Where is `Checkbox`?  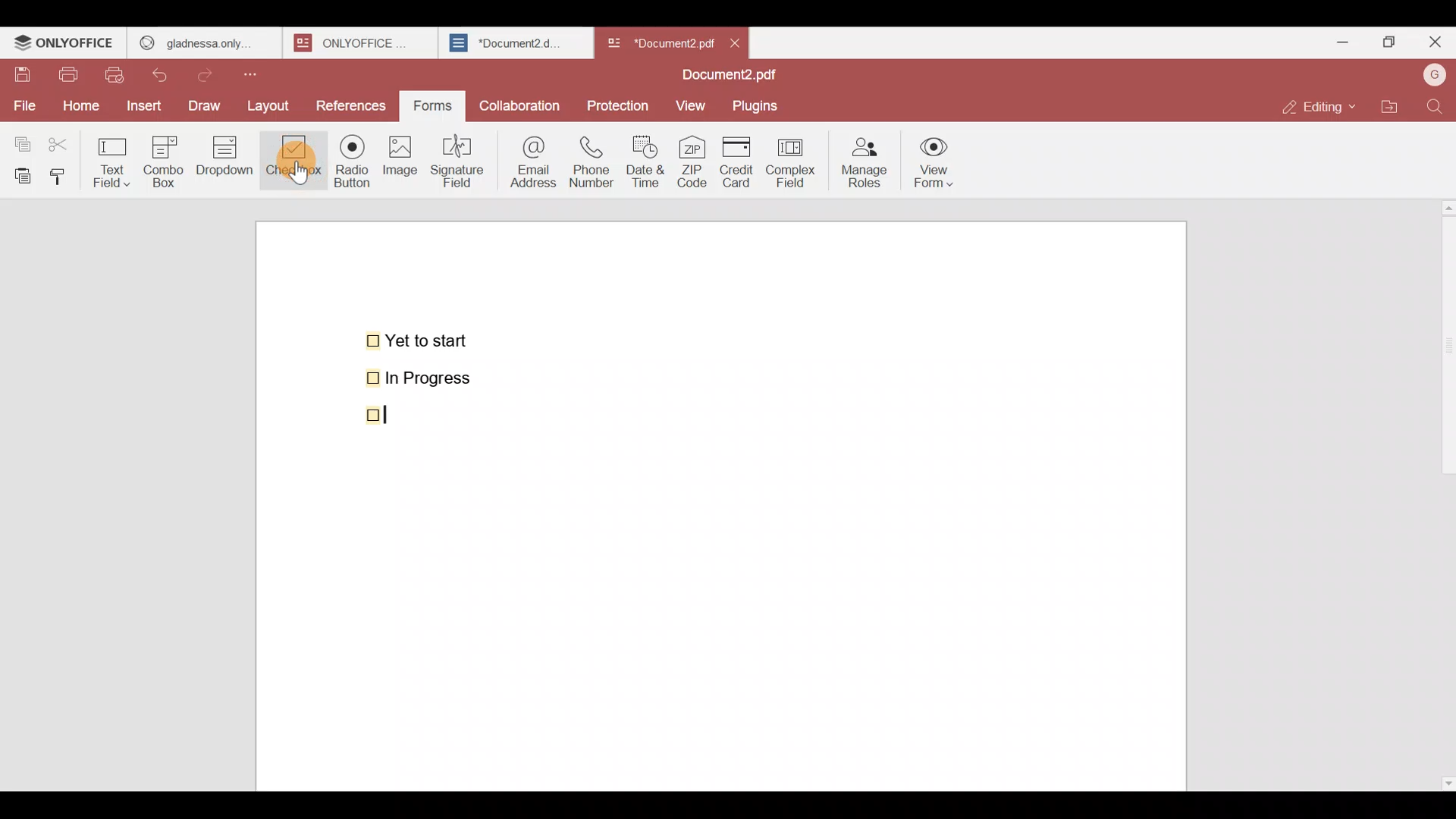 Checkbox is located at coordinates (290, 162).